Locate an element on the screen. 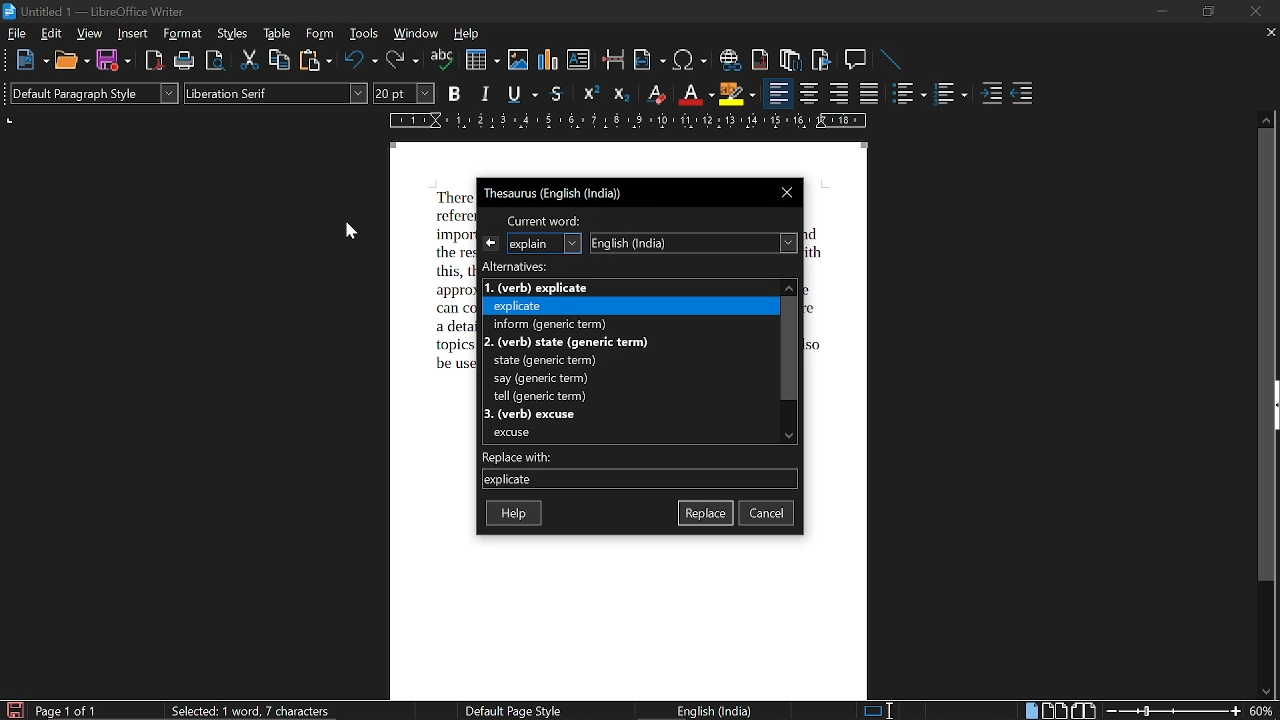  move down is located at coordinates (1266, 693).